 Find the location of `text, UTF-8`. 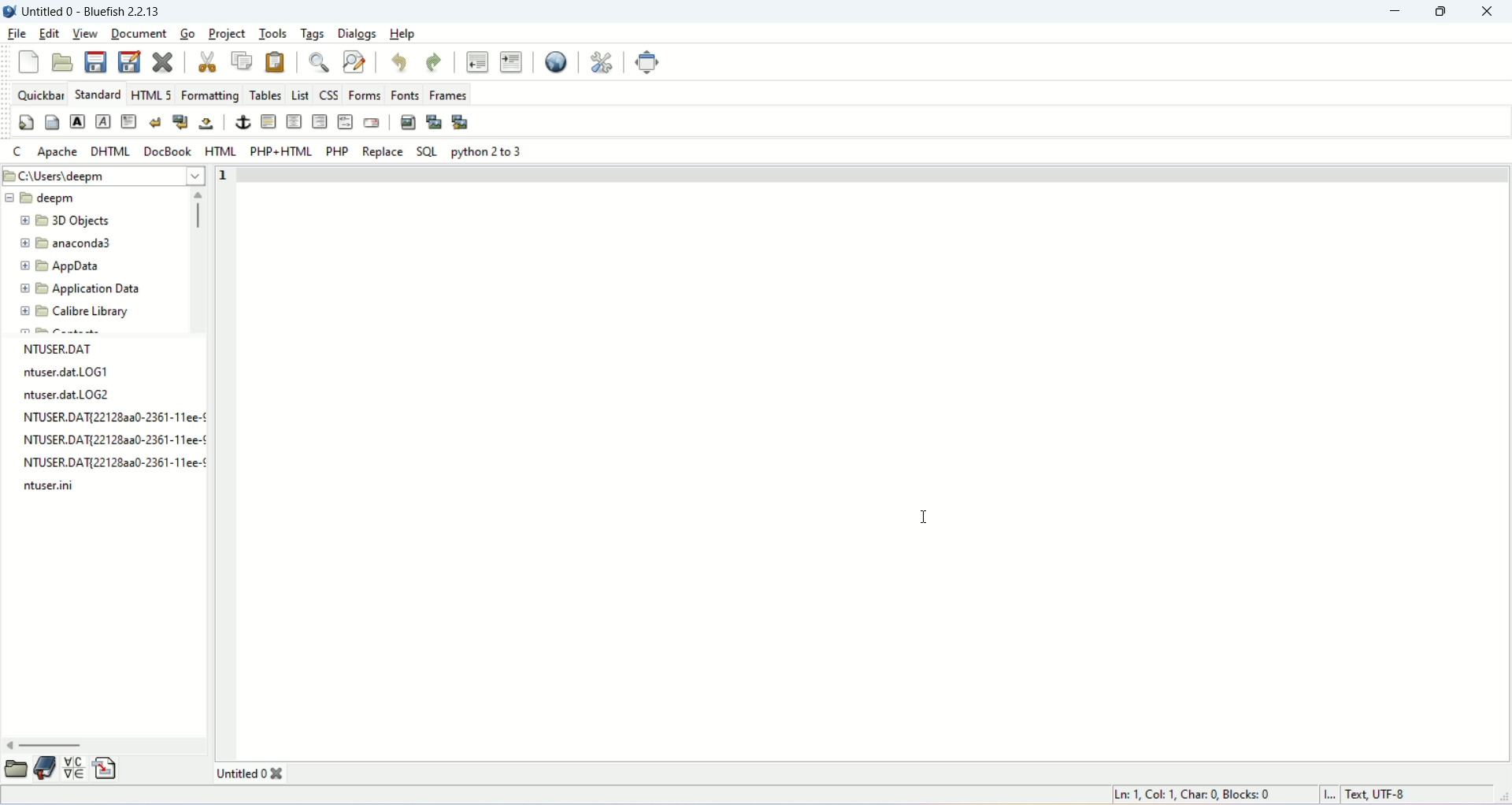

text, UTF-8 is located at coordinates (1373, 796).